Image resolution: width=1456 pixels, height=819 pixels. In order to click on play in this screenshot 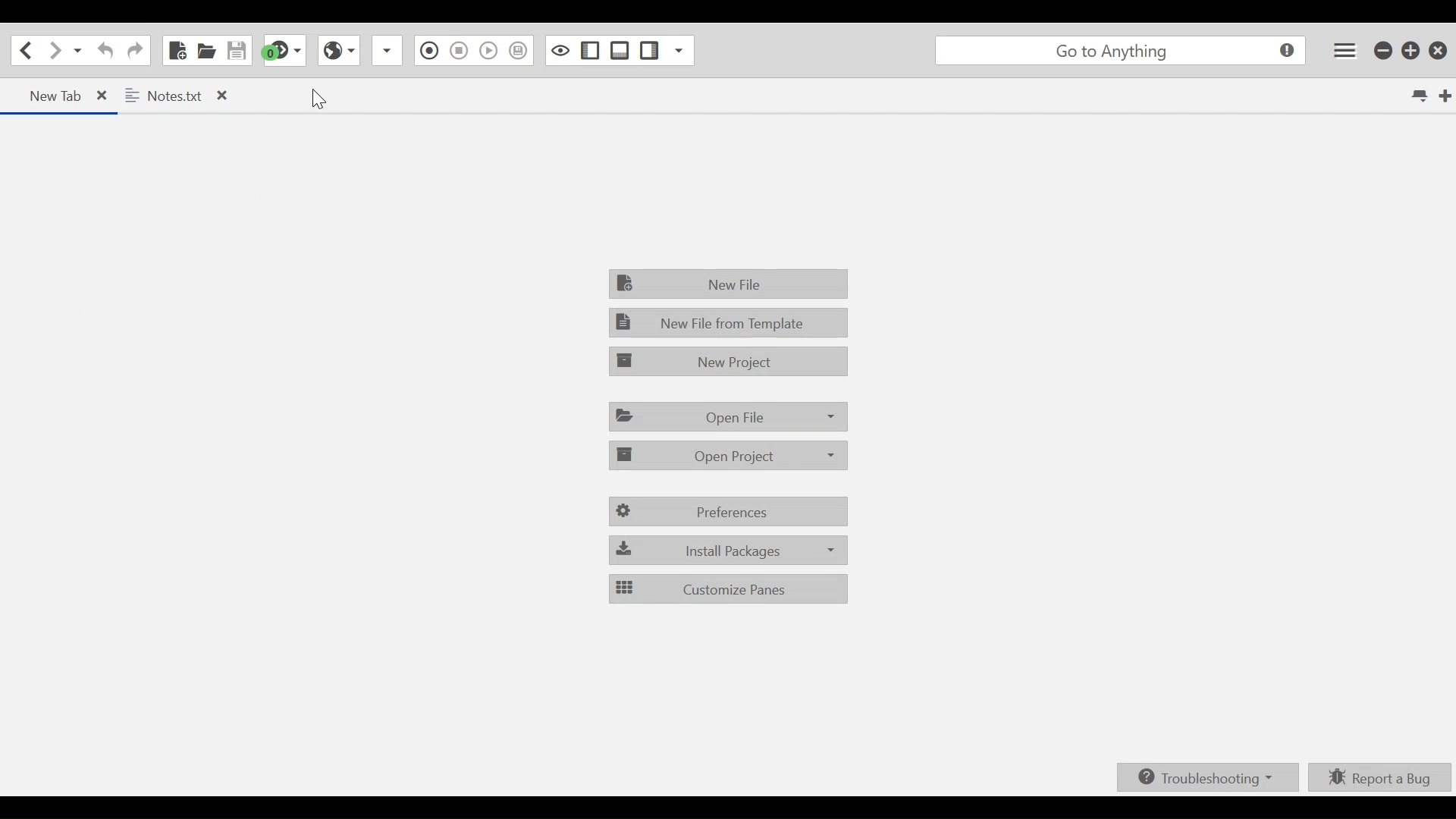, I will do `click(519, 50)`.